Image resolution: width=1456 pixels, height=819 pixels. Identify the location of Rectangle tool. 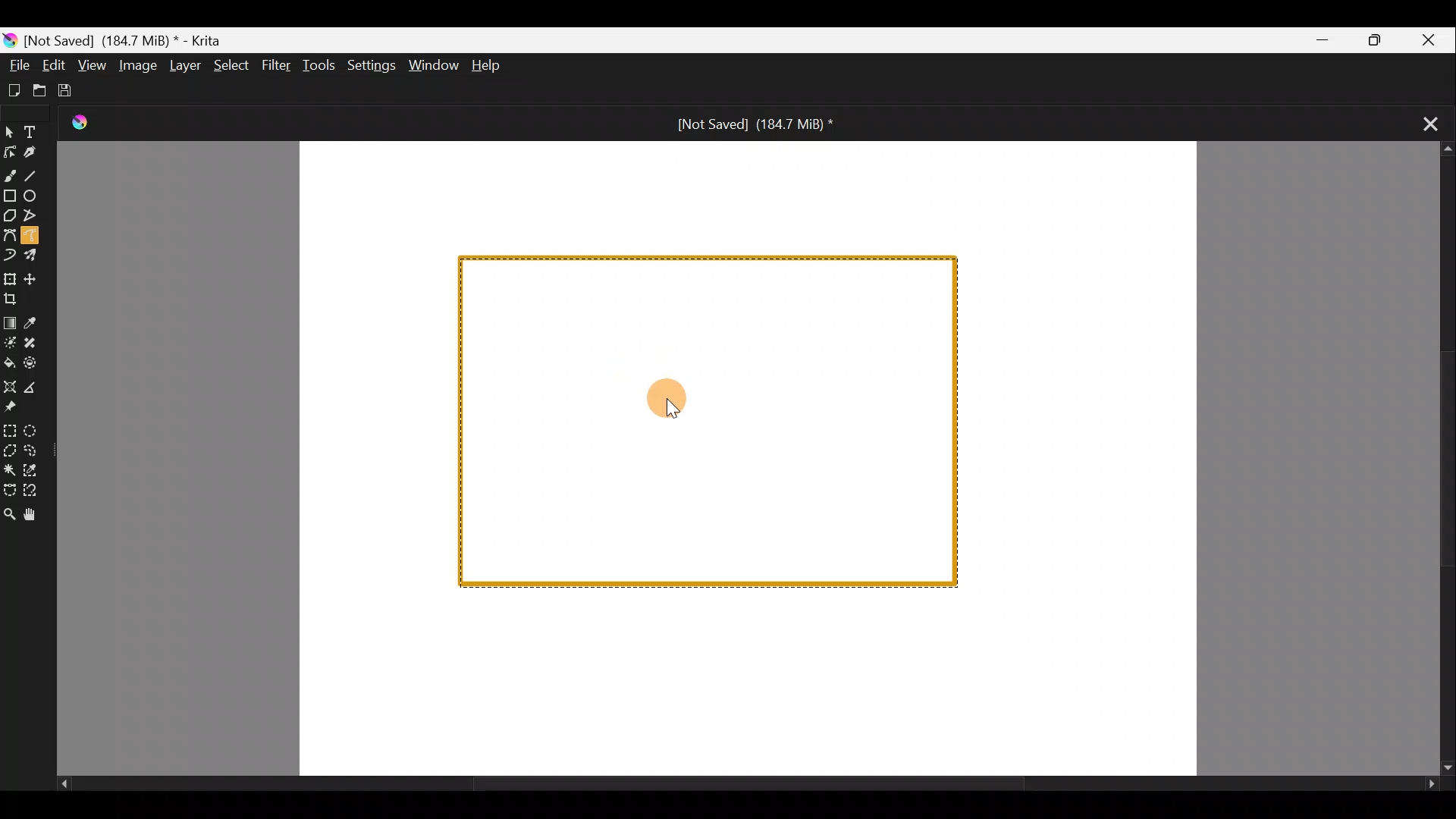
(9, 196).